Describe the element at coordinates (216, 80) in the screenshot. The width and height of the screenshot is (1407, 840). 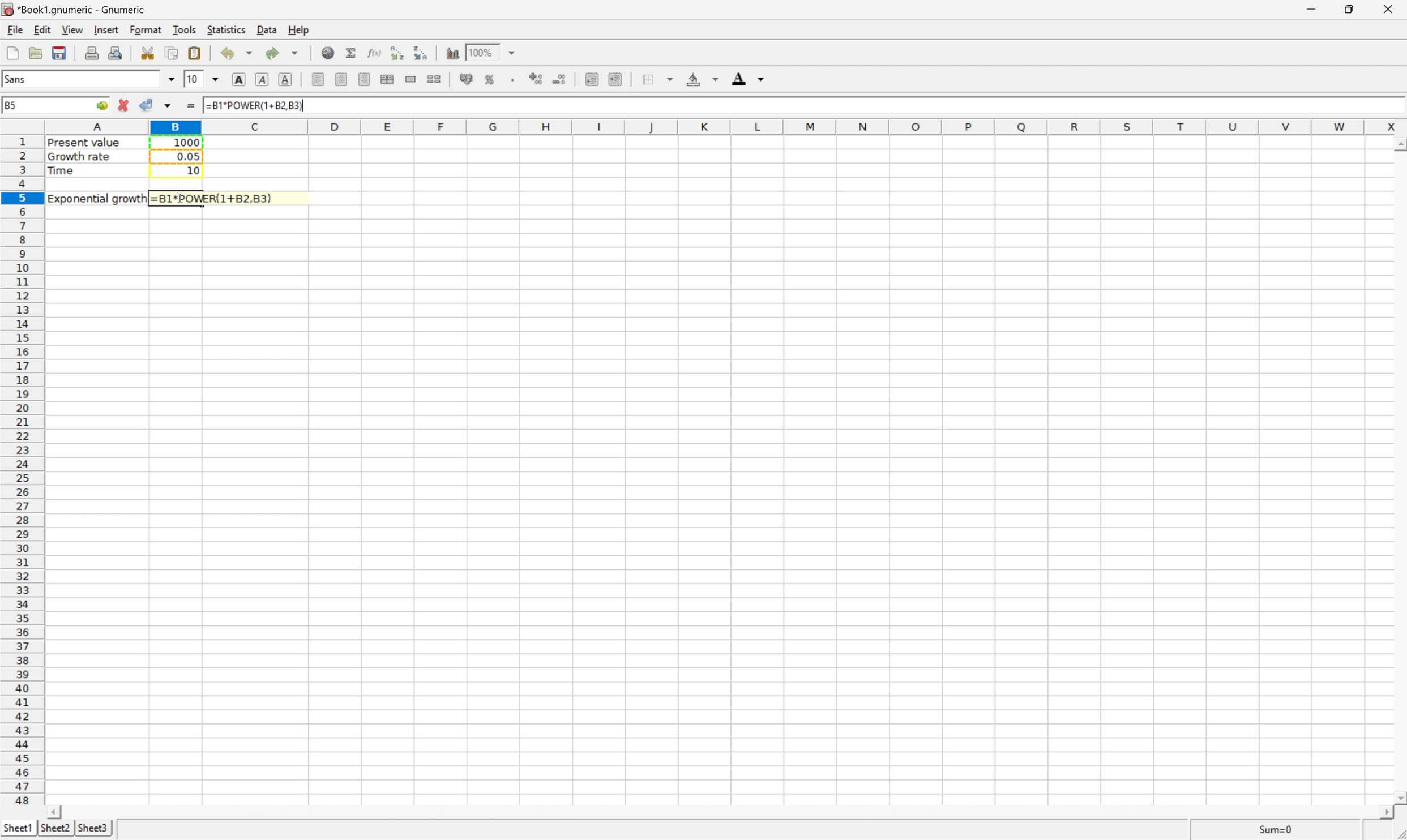
I see `Drop Down` at that location.